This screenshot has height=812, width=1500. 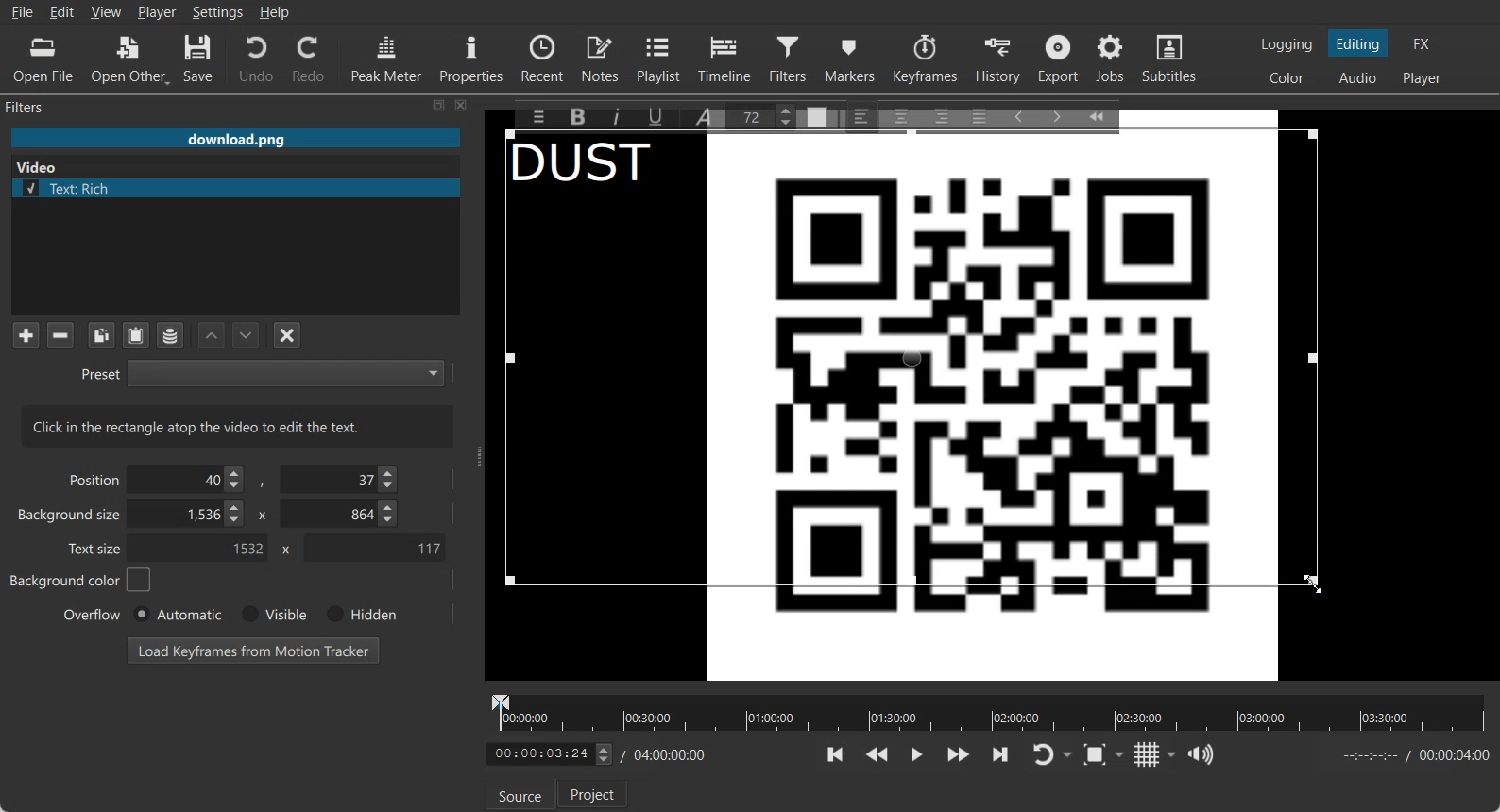 What do you see at coordinates (106, 11) in the screenshot?
I see `View` at bounding box center [106, 11].